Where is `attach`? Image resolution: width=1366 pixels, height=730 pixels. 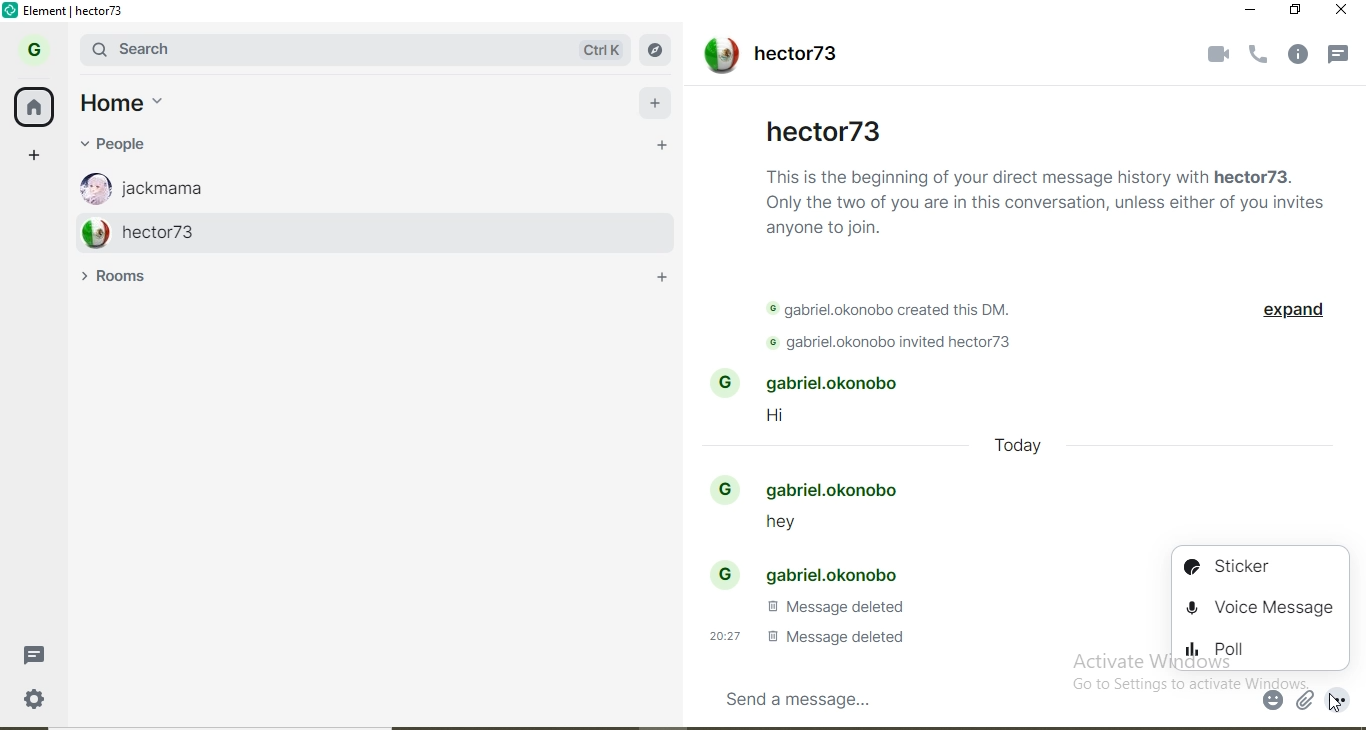
attach is located at coordinates (1304, 701).